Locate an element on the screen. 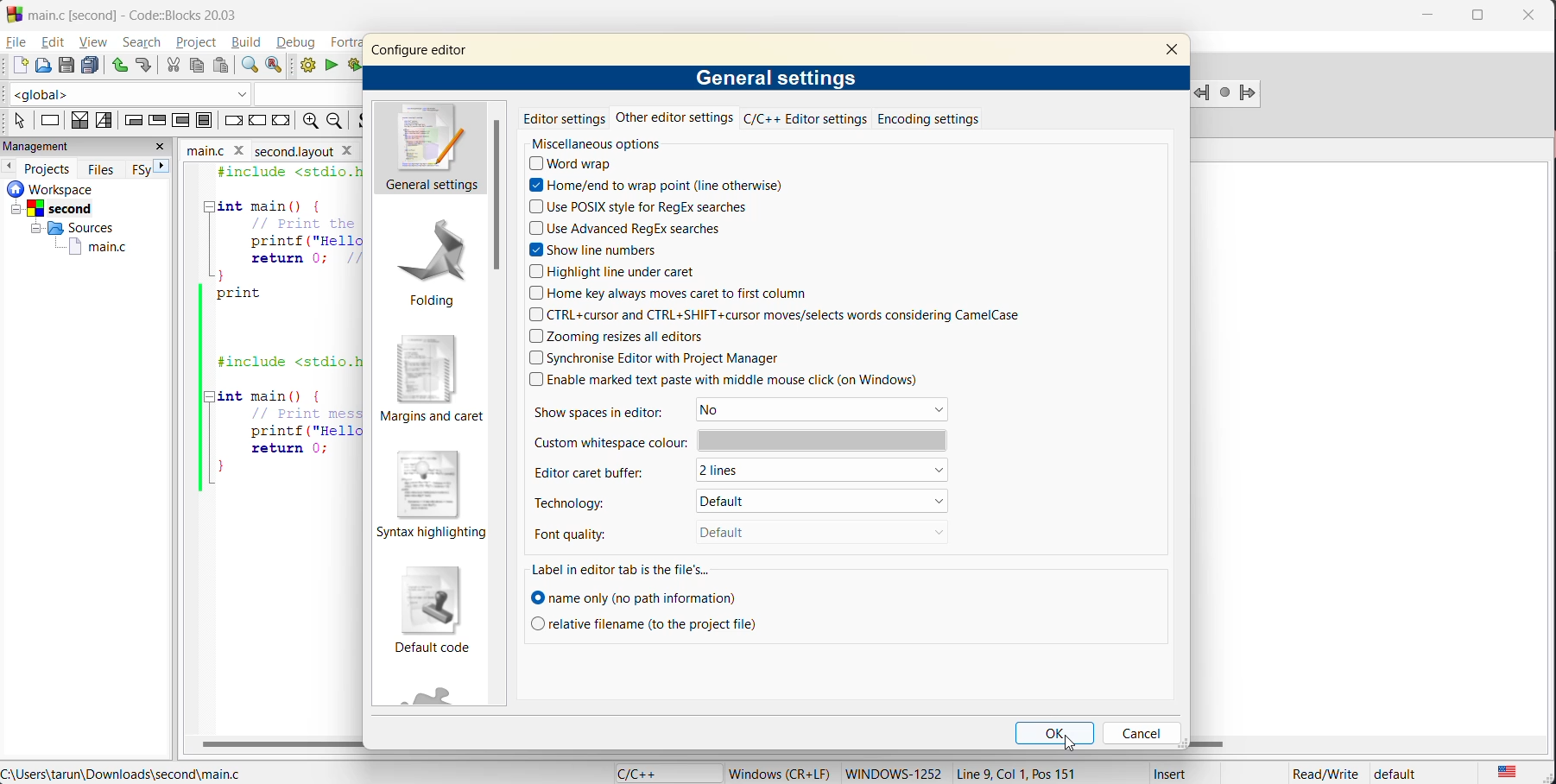 The width and height of the screenshot is (1556, 784). new is located at coordinates (16, 66).